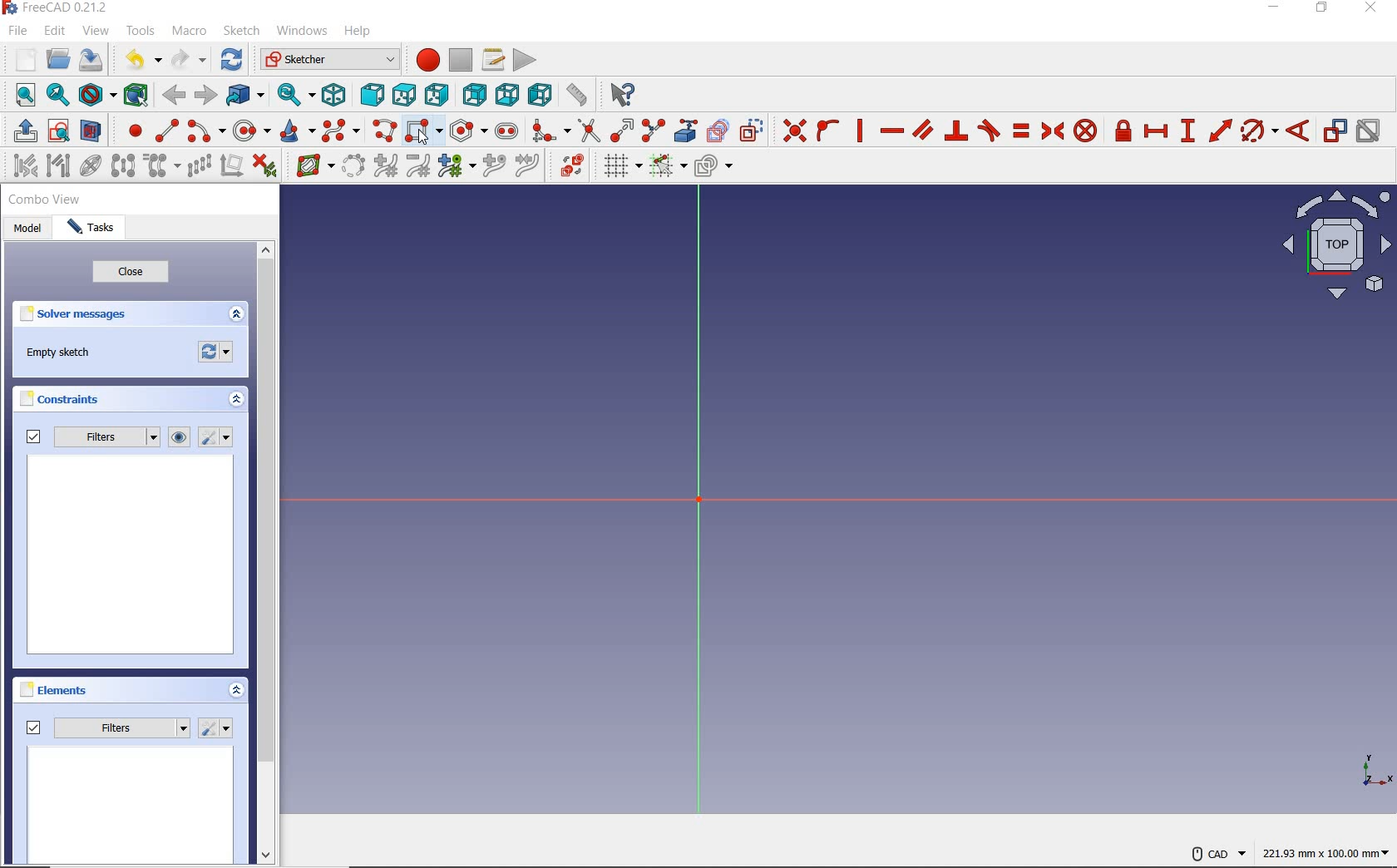  I want to click on expand, so click(234, 401).